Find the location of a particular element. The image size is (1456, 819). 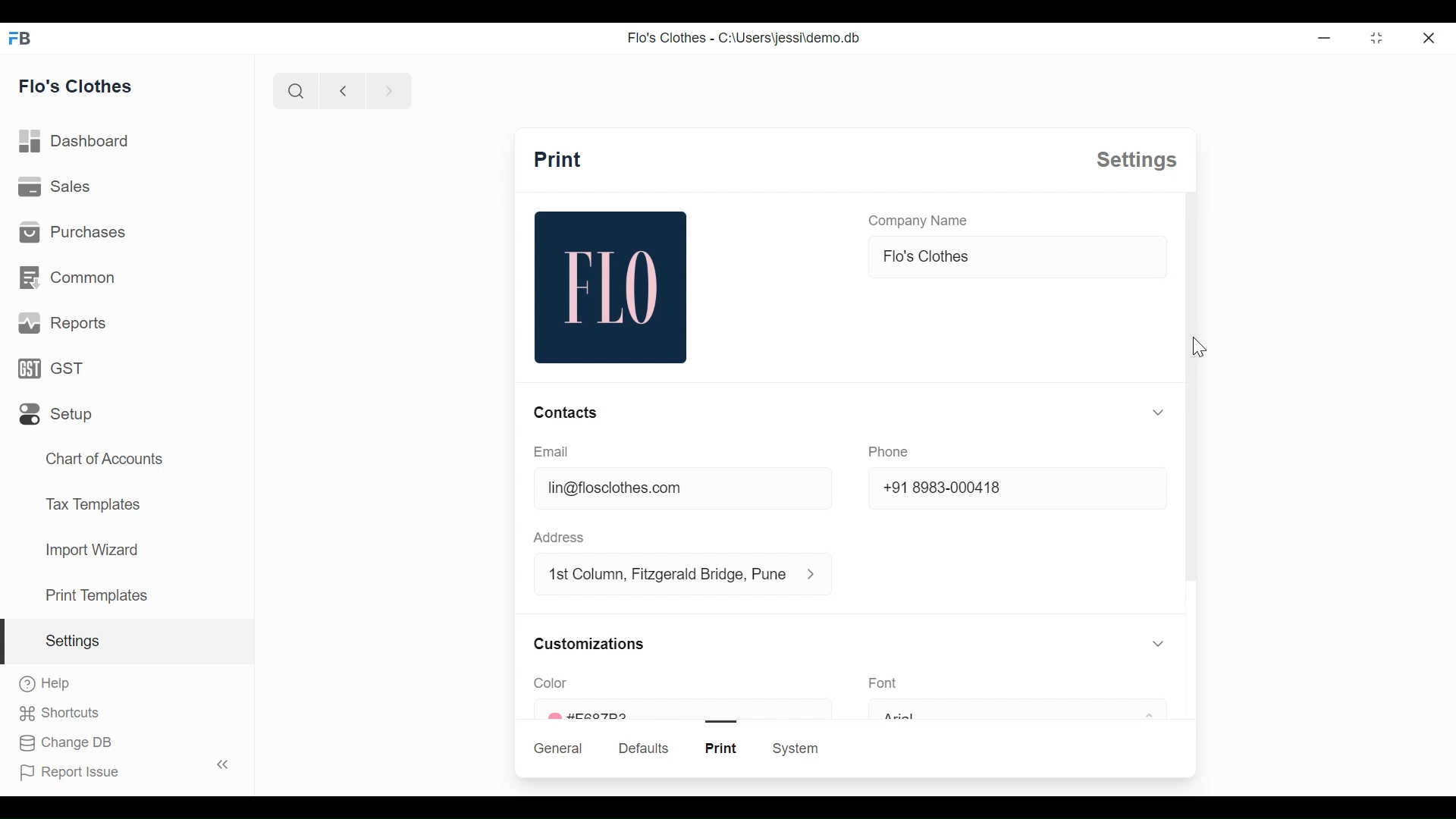

toggle sidebar is located at coordinates (224, 764).